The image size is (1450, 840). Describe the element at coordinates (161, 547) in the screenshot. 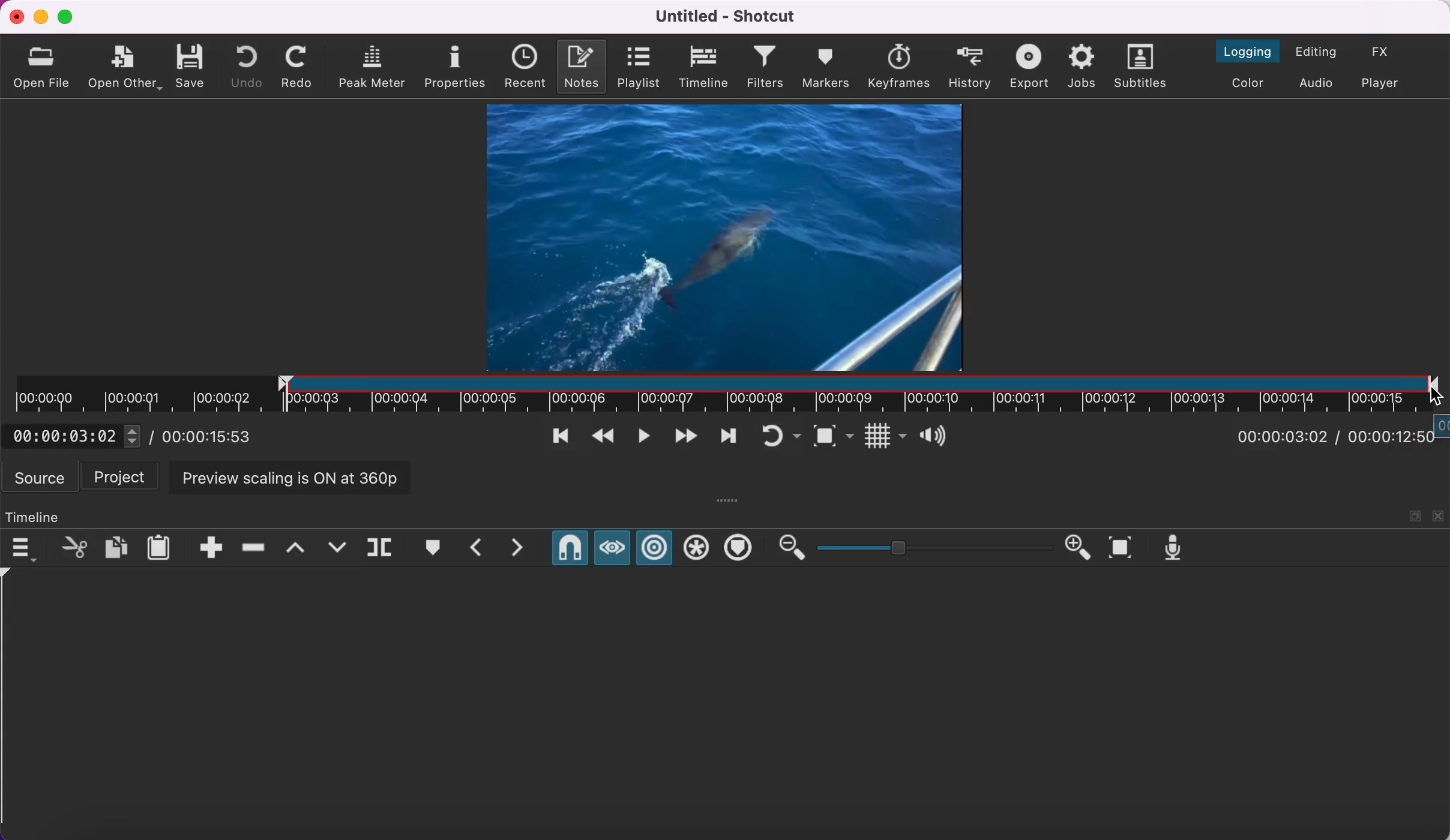

I see `paste` at that location.